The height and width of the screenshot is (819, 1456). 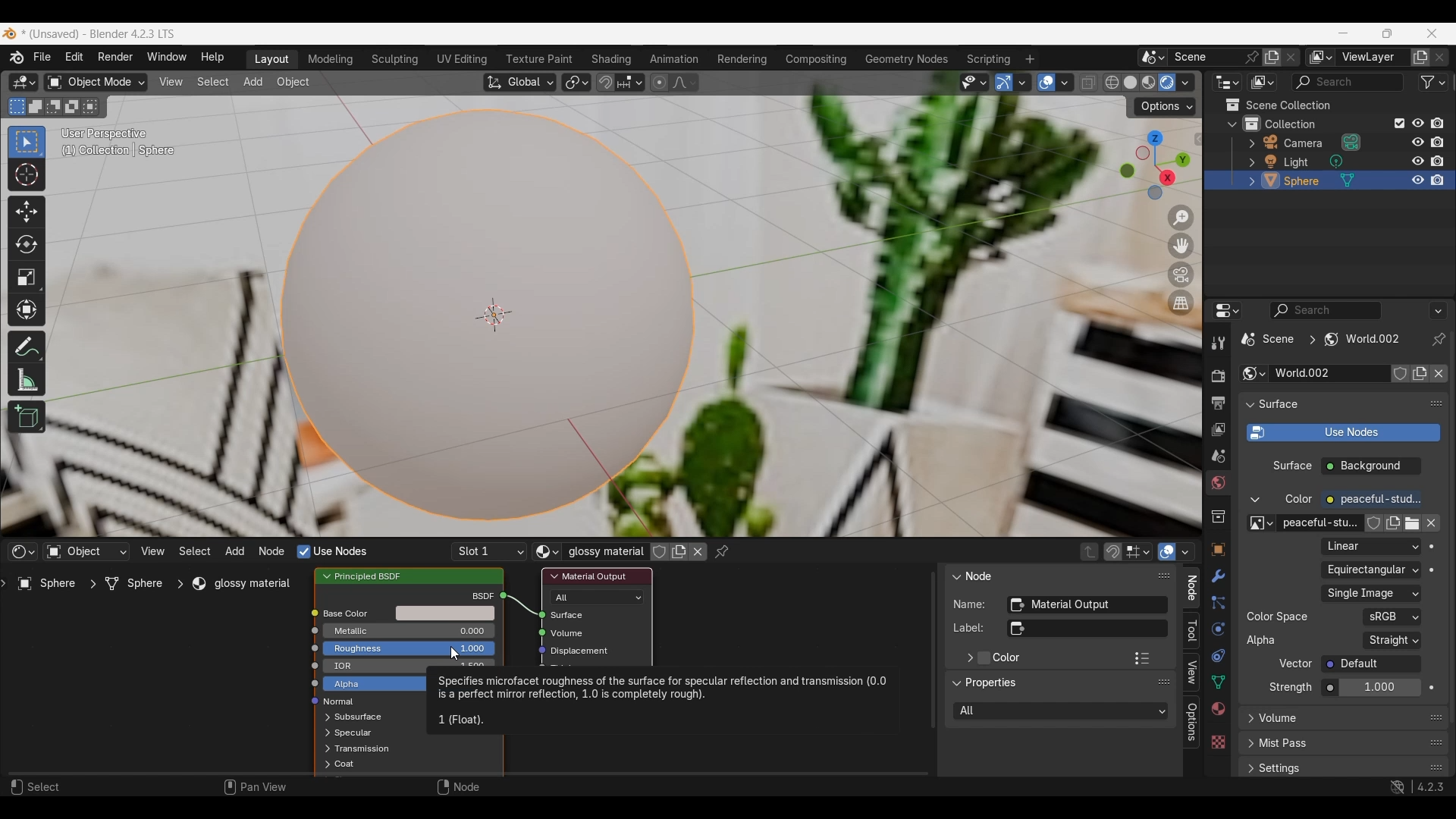 What do you see at coordinates (372, 683) in the screenshot?
I see `Alpha` at bounding box center [372, 683].